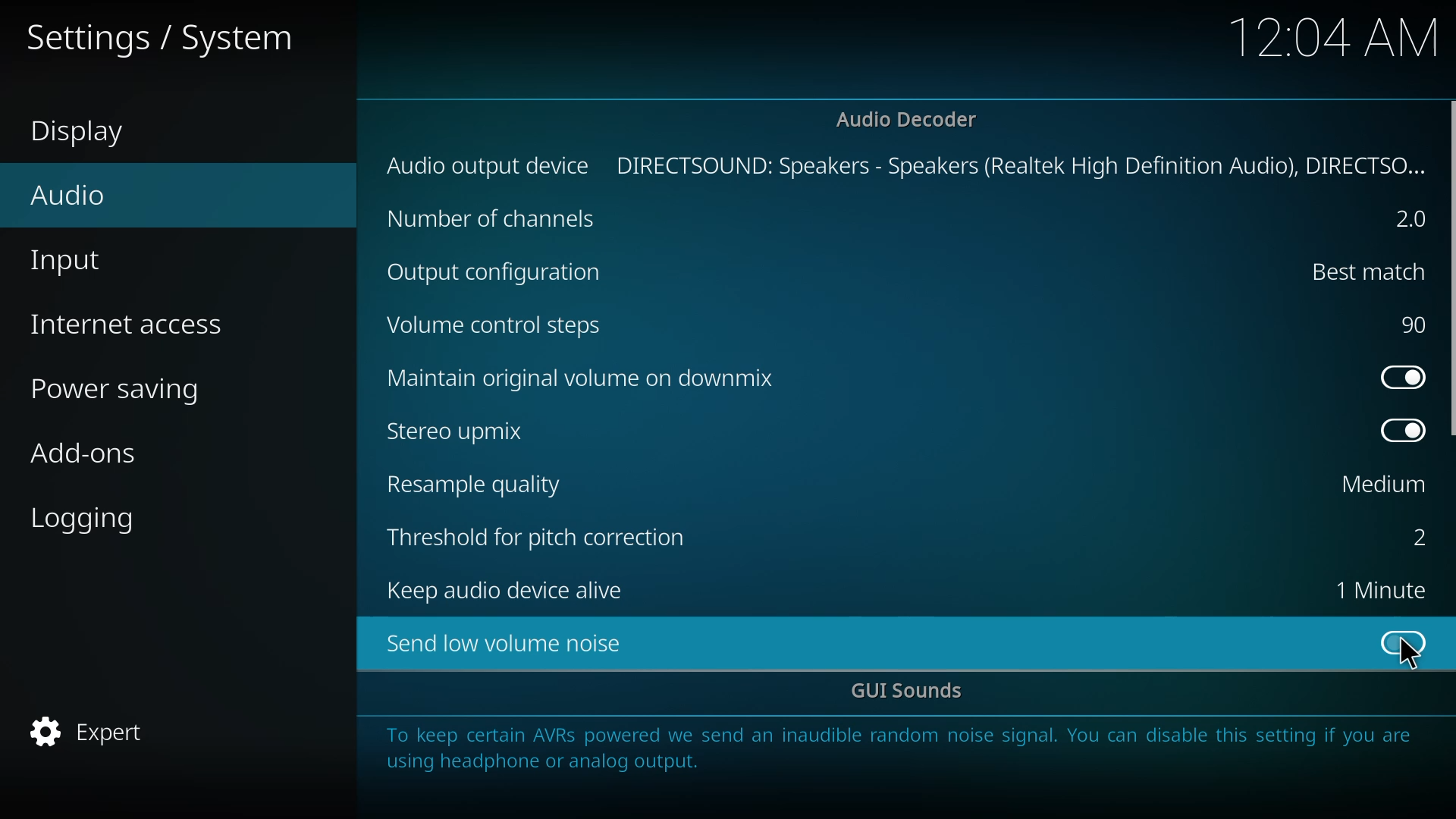  What do you see at coordinates (92, 134) in the screenshot?
I see `display` at bounding box center [92, 134].